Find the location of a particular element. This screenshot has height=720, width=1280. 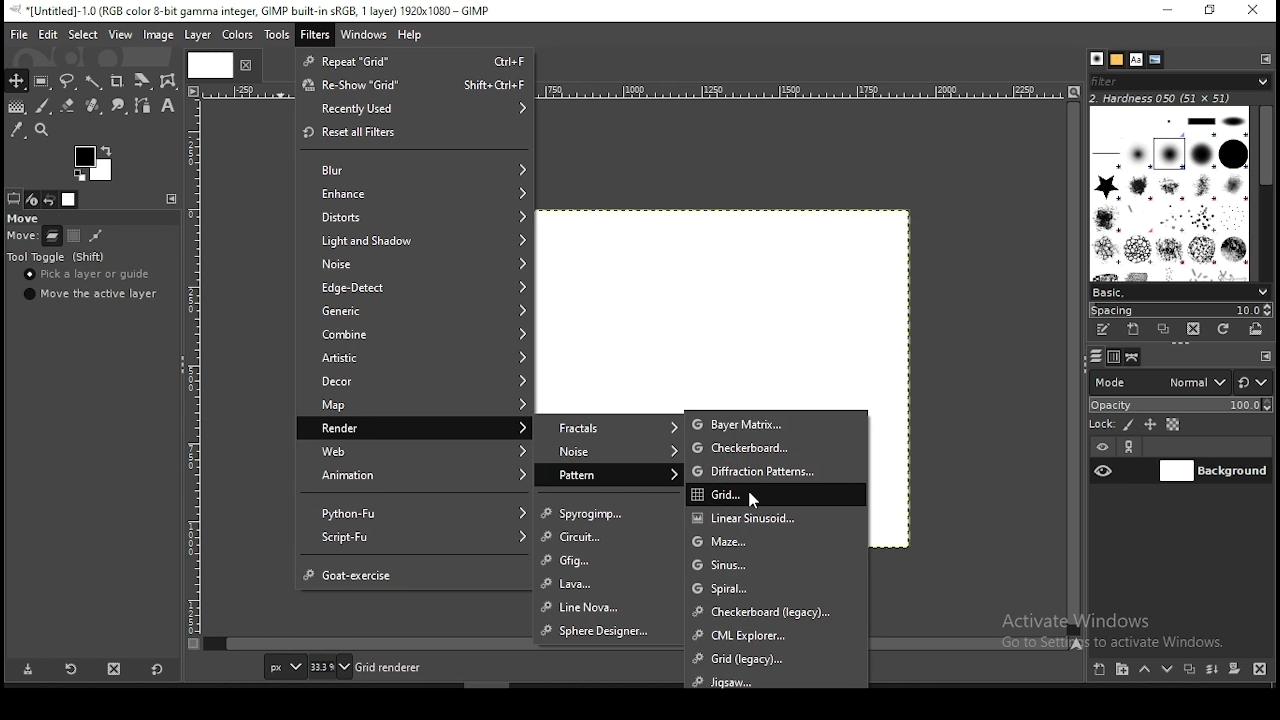

render is located at coordinates (413, 427).